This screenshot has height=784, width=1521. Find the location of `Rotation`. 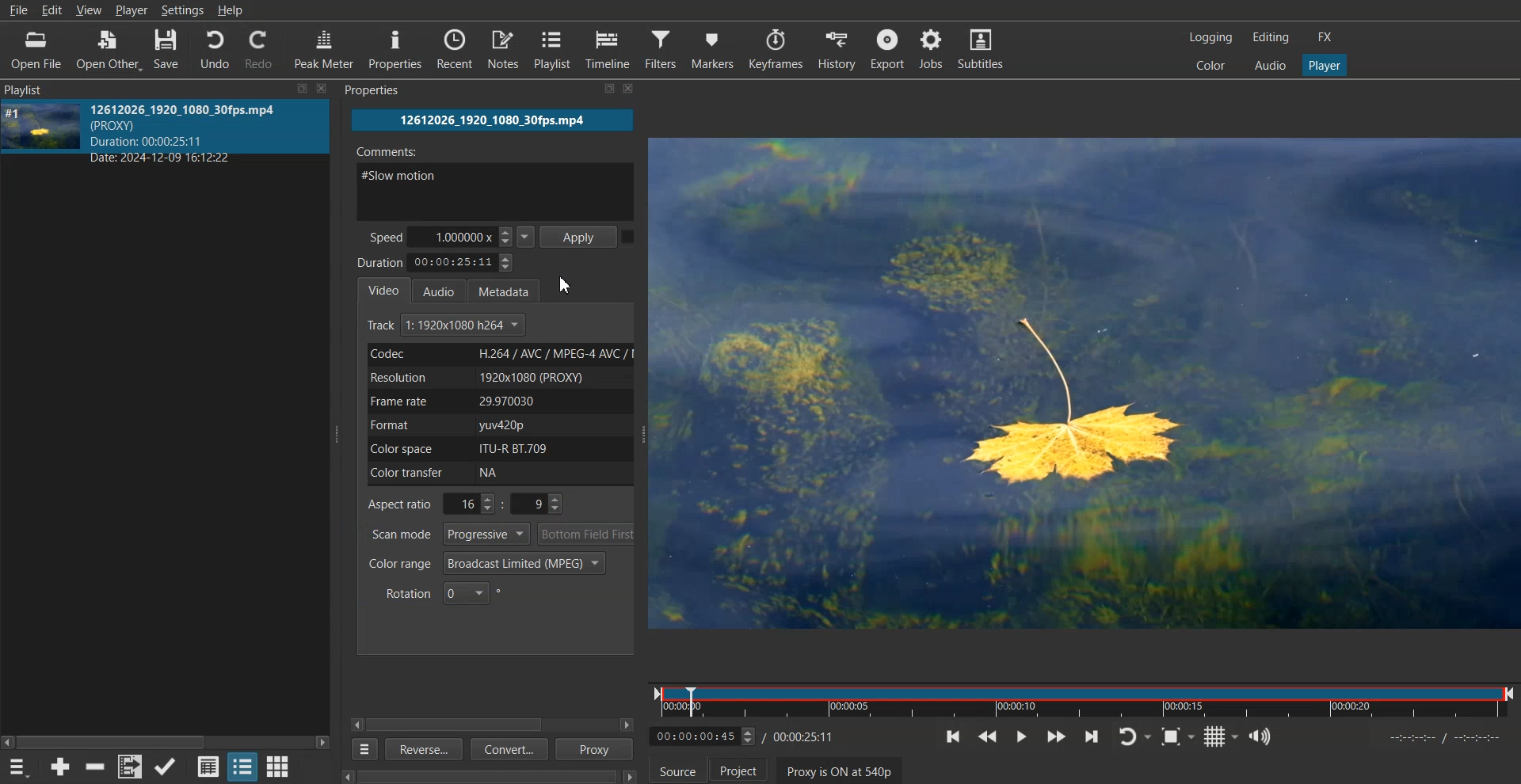

Rotation is located at coordinates (444, 592).